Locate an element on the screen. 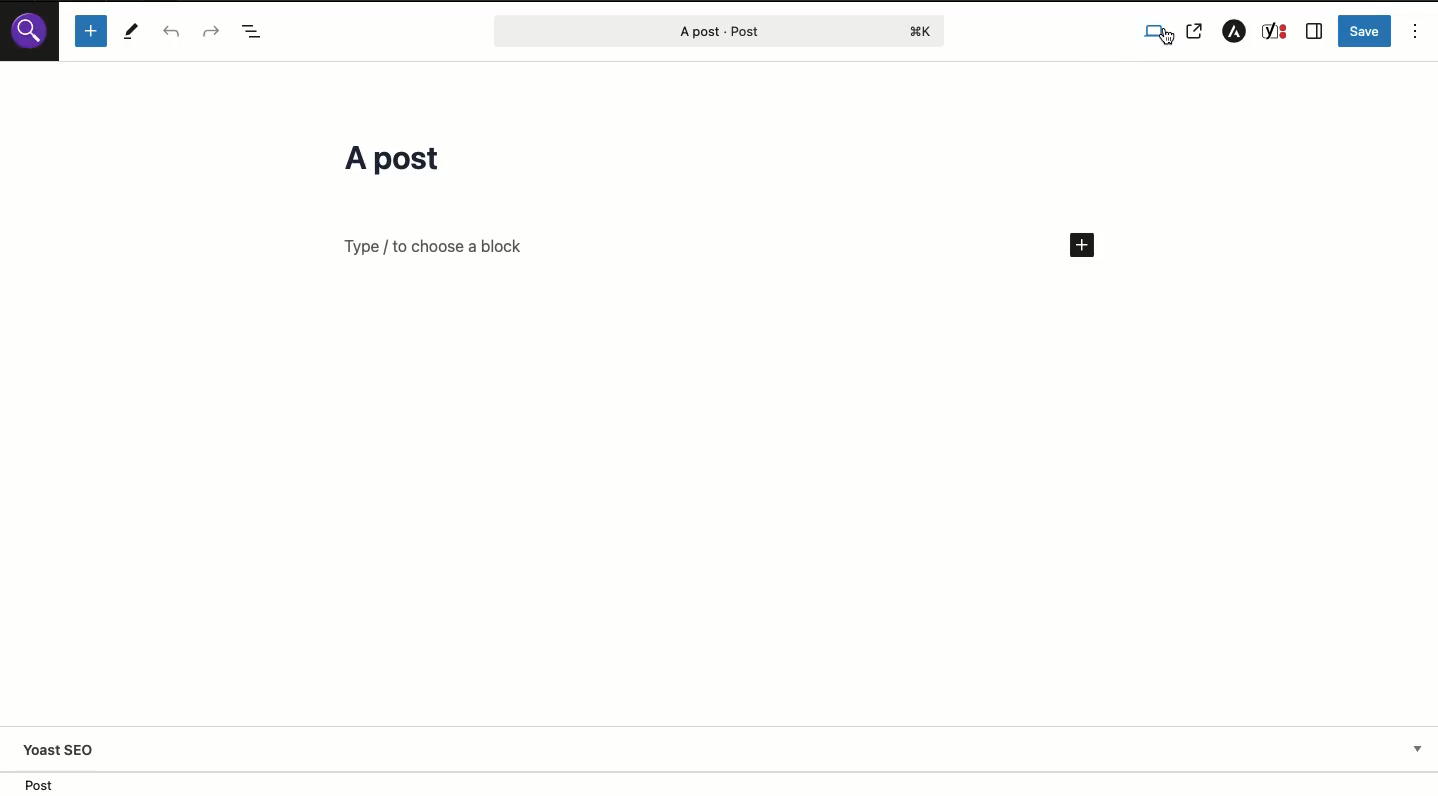  Title  is located at coordinates (395, 162).